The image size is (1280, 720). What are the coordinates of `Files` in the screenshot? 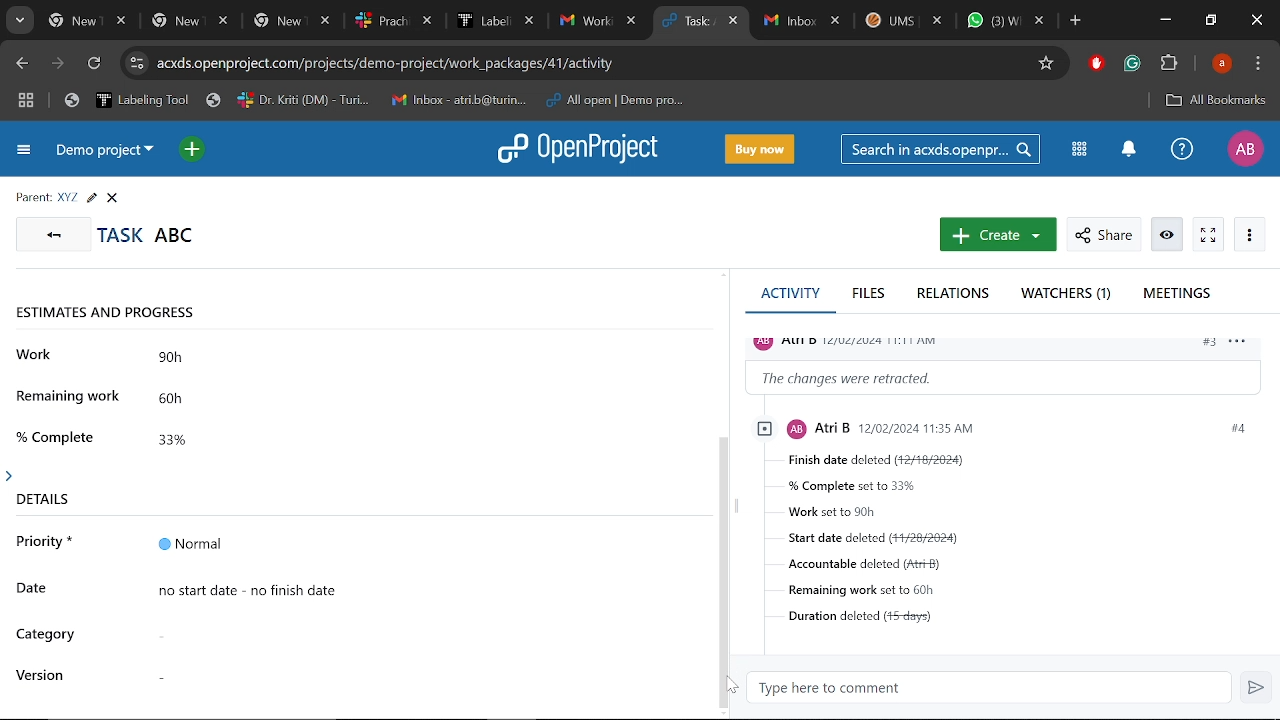 It's located at (870, 294).